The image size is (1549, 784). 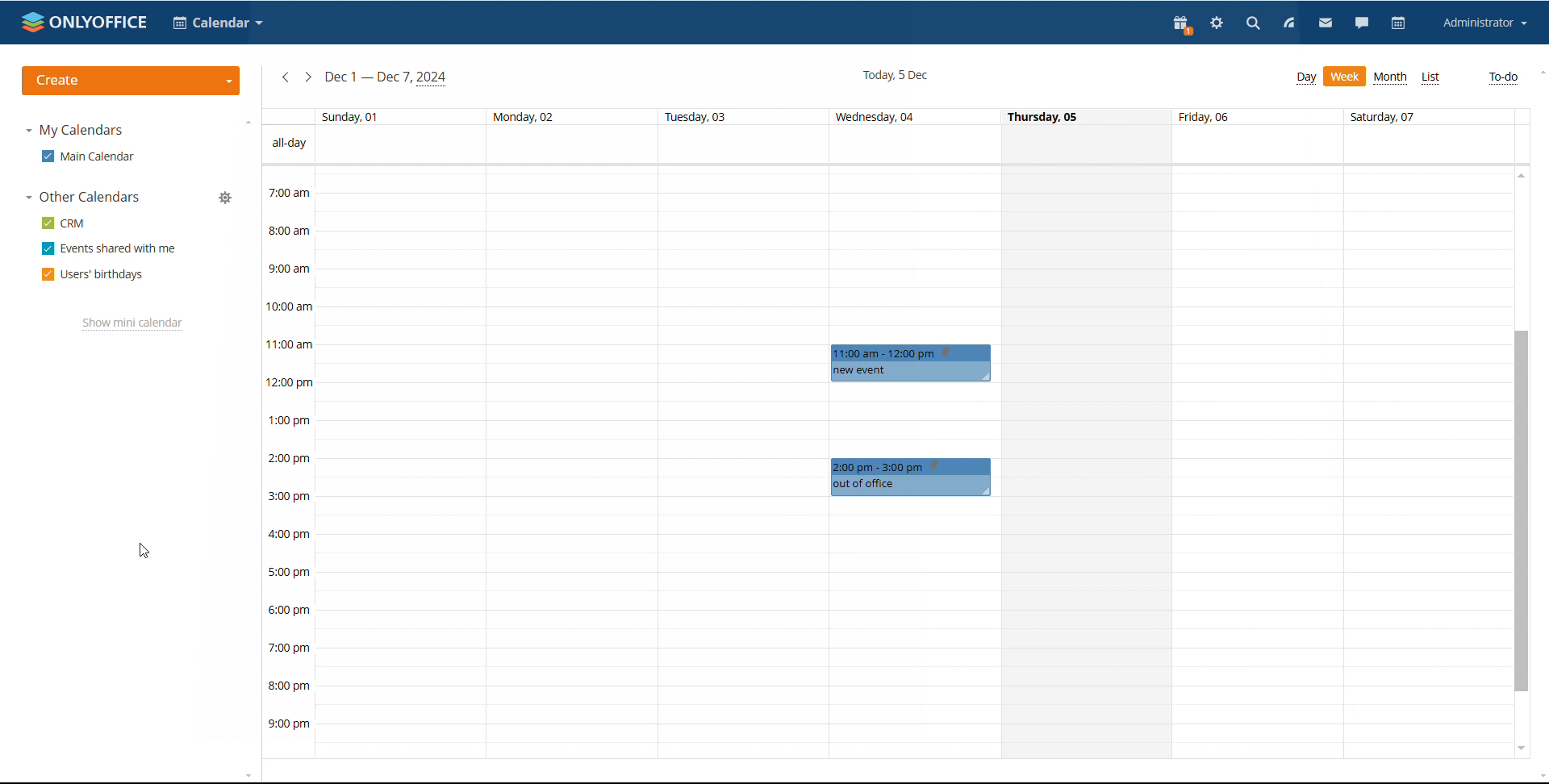 I want to click on single day, so click(x=1089, y=461).